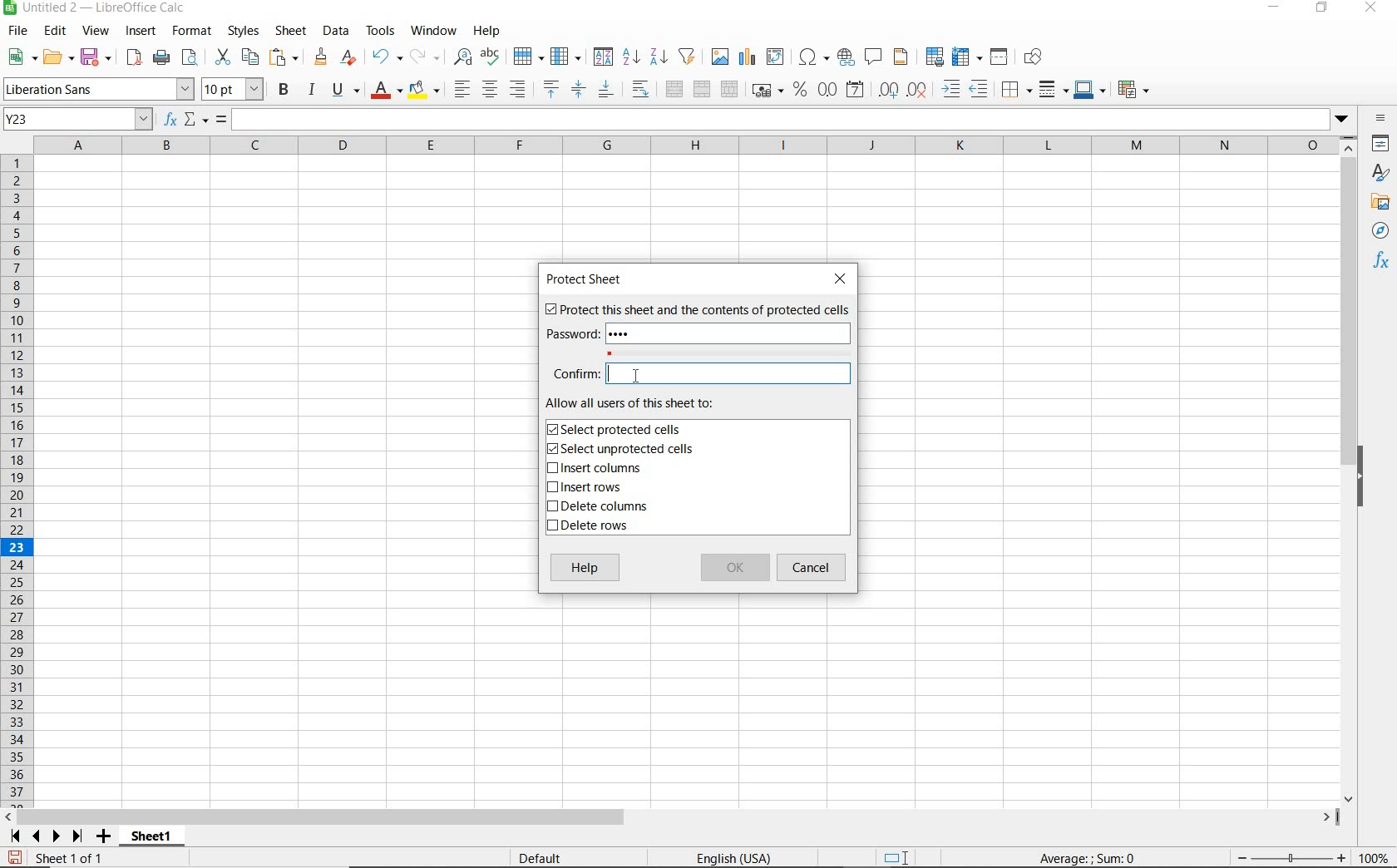  What do you see at coordinates (106, 837) in the screenshot?
I see `ADD SHEET` at bounding box center [106, 837].